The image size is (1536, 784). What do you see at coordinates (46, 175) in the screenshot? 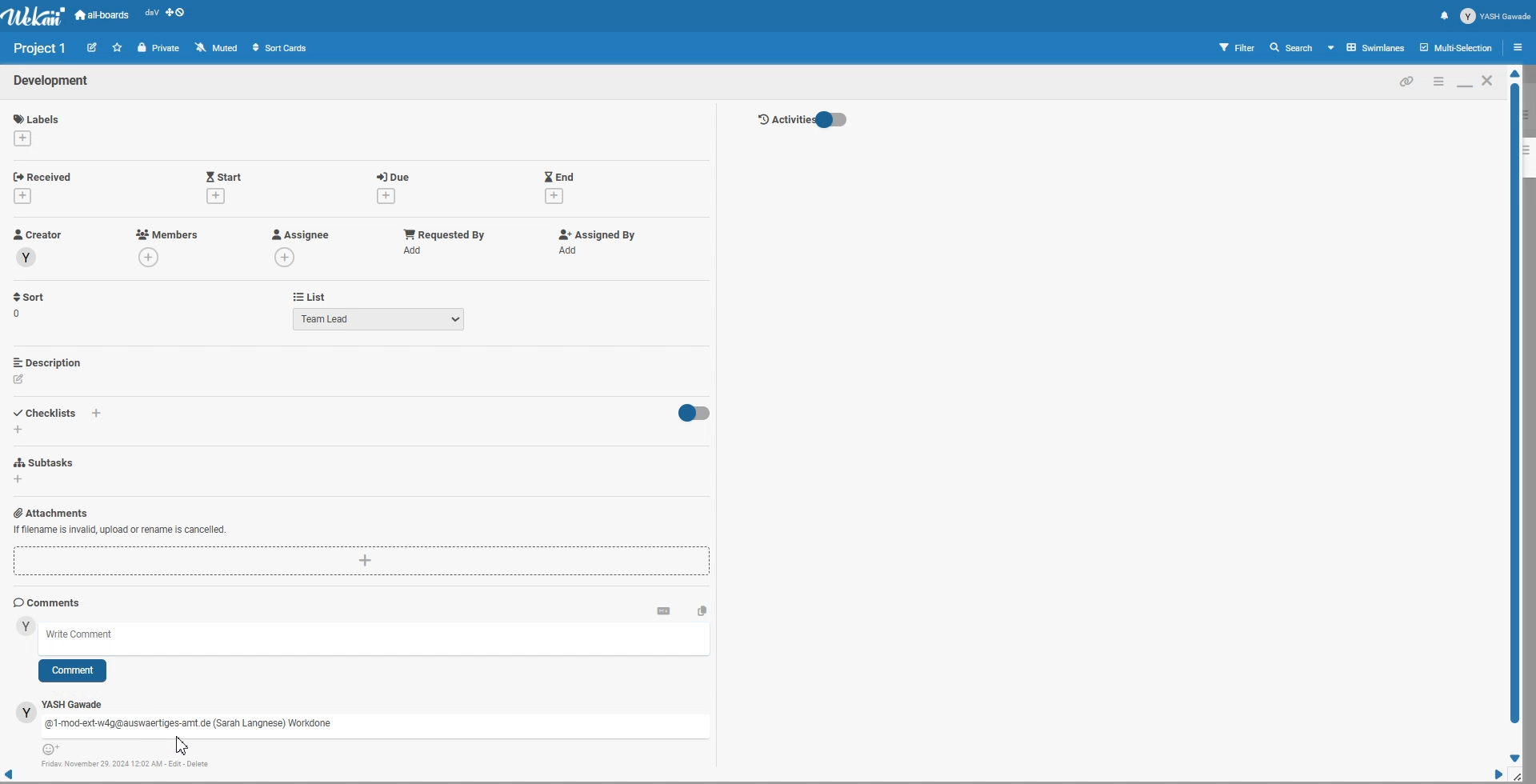
I see `Add Received` at bounding box center [46, 175].